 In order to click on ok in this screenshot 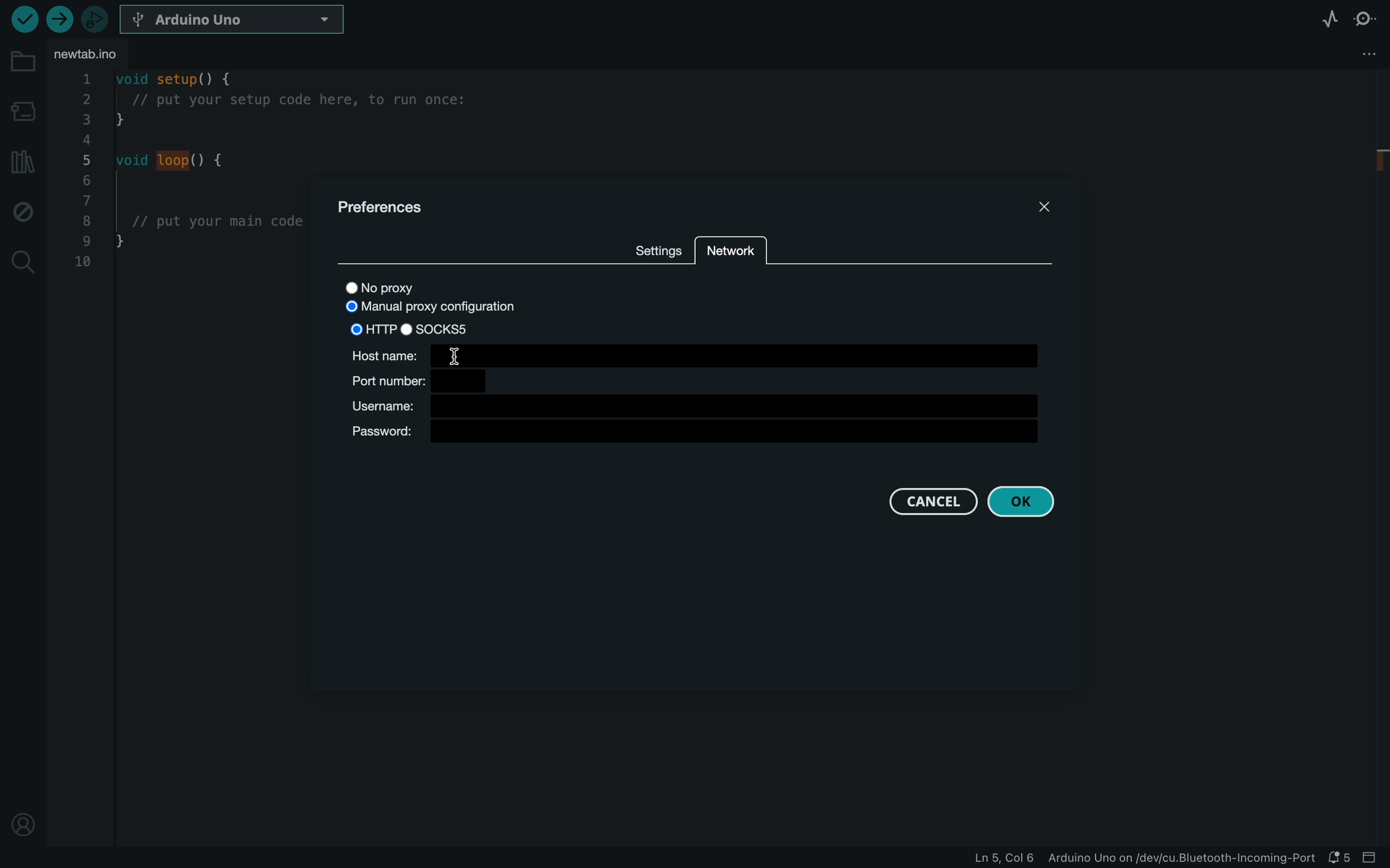, I will do `click(1022, 502)`.